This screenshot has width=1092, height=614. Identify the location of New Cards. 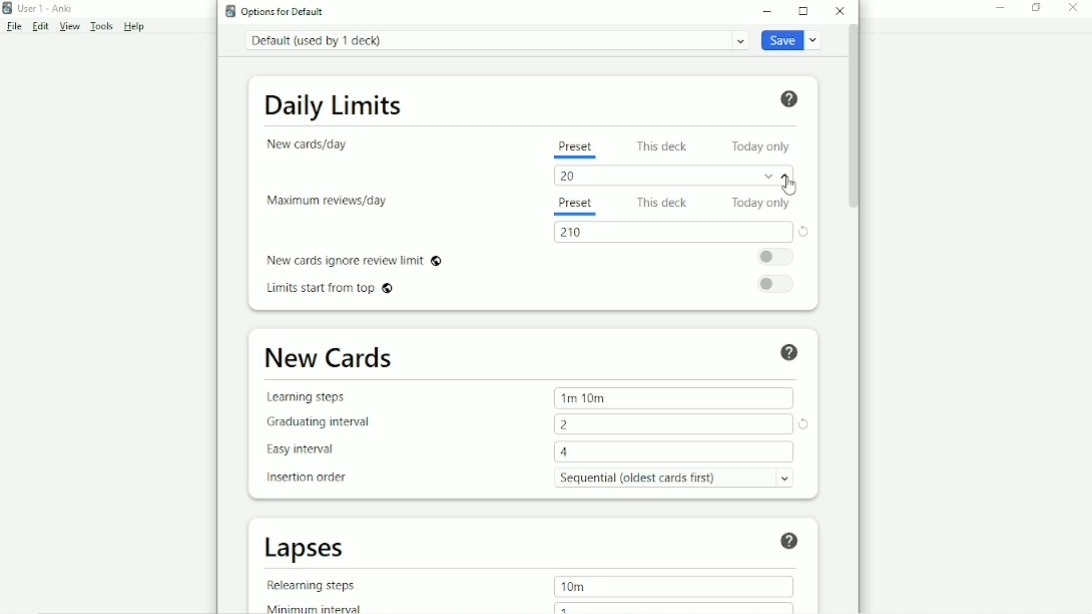
(332, 358).